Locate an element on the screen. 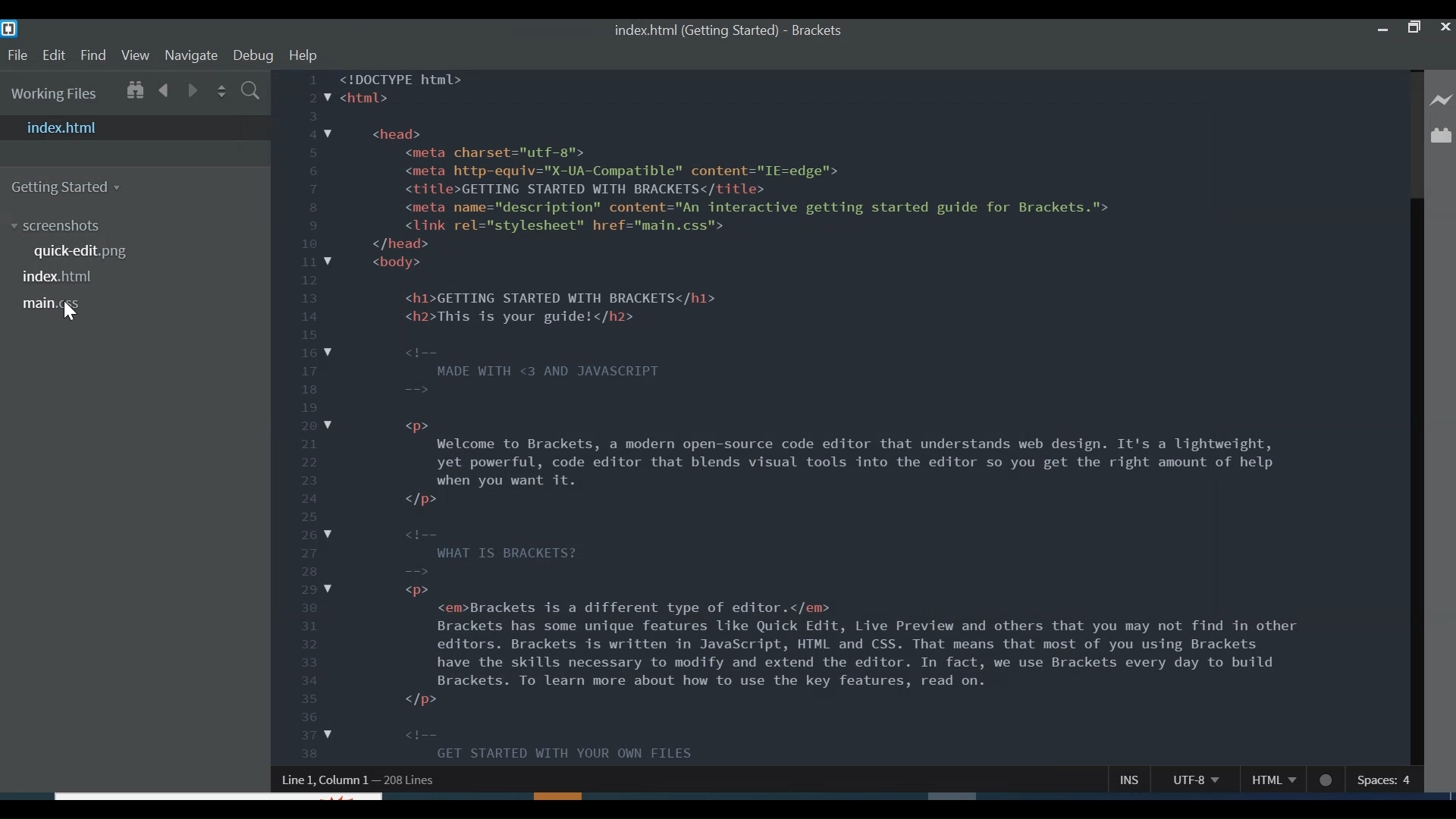  main.css file is located at coordinates (56, 304).